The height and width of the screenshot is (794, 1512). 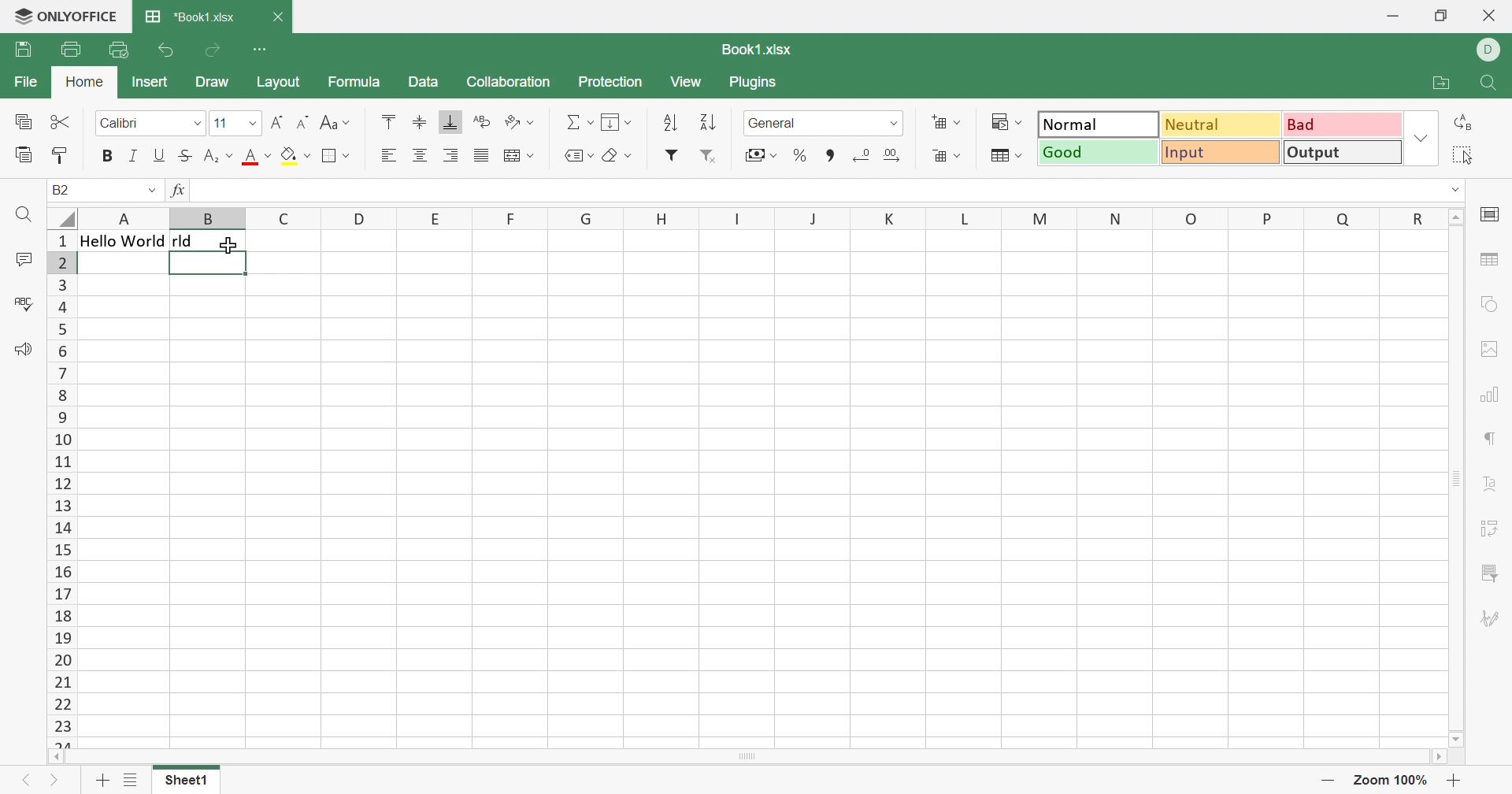 I want to click on Quick print, so click(x=121, y=50).